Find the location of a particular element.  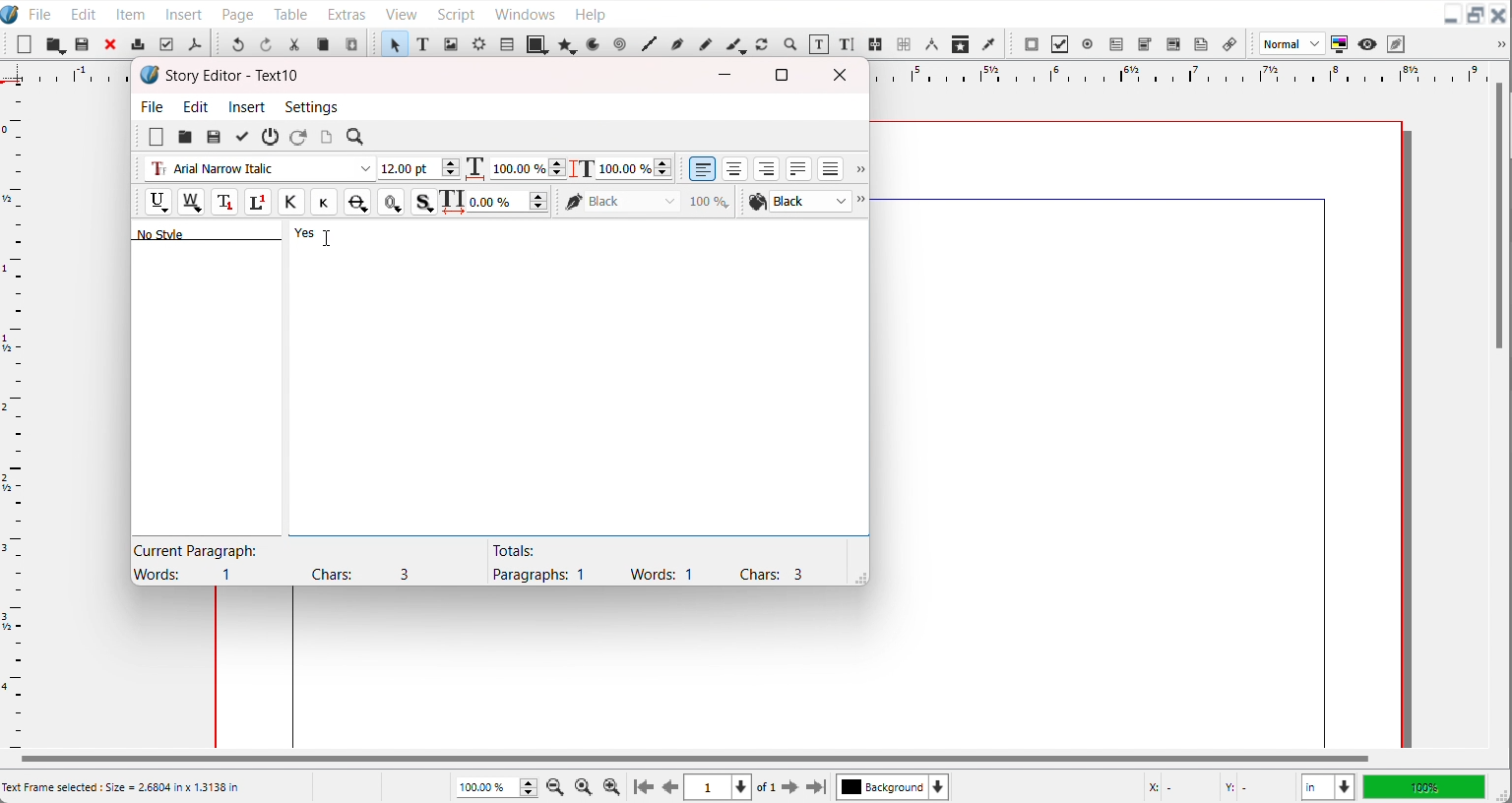

Close is located at coordinates (111, 43).